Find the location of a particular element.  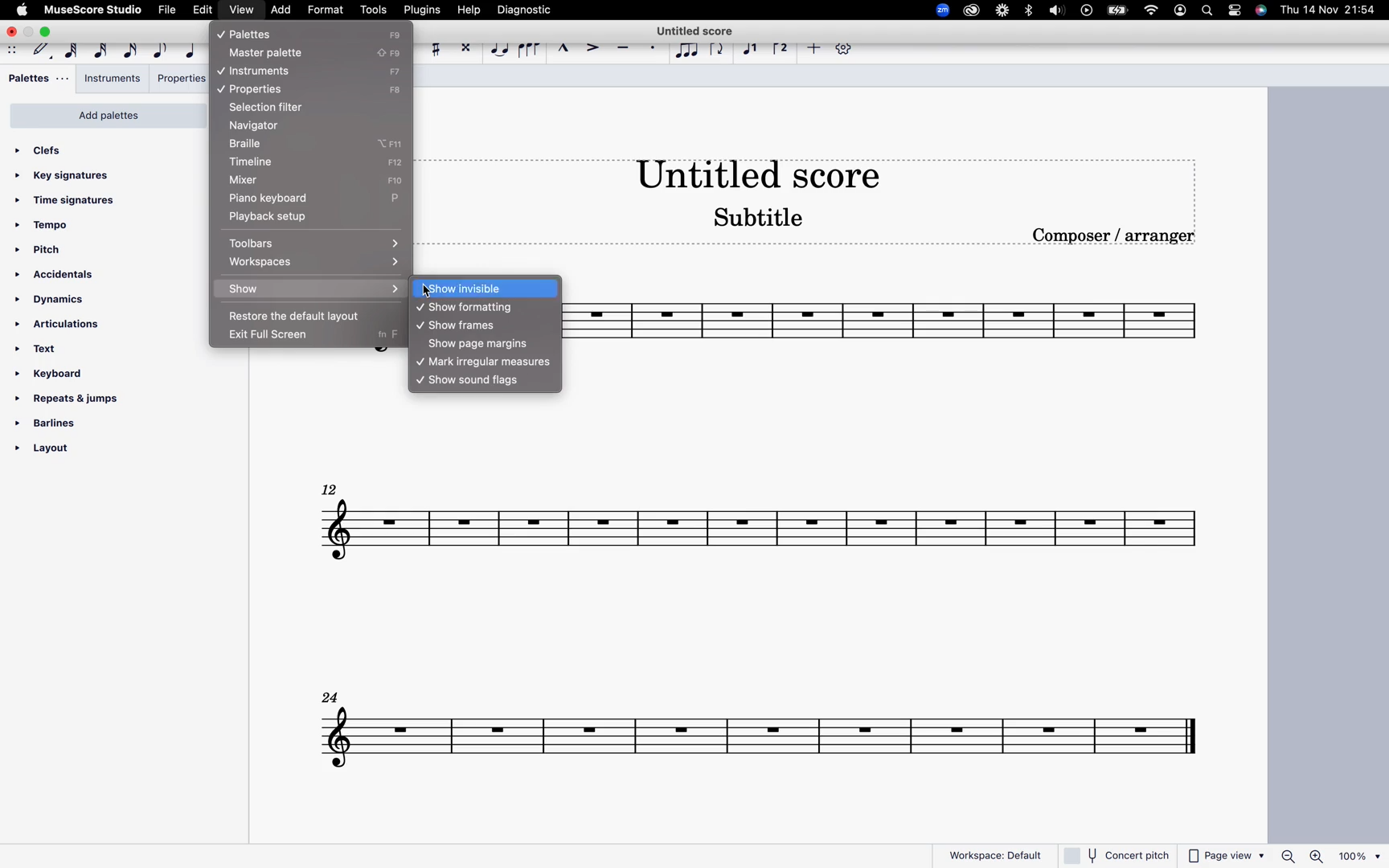

layout is located at coordinates (65, 455).